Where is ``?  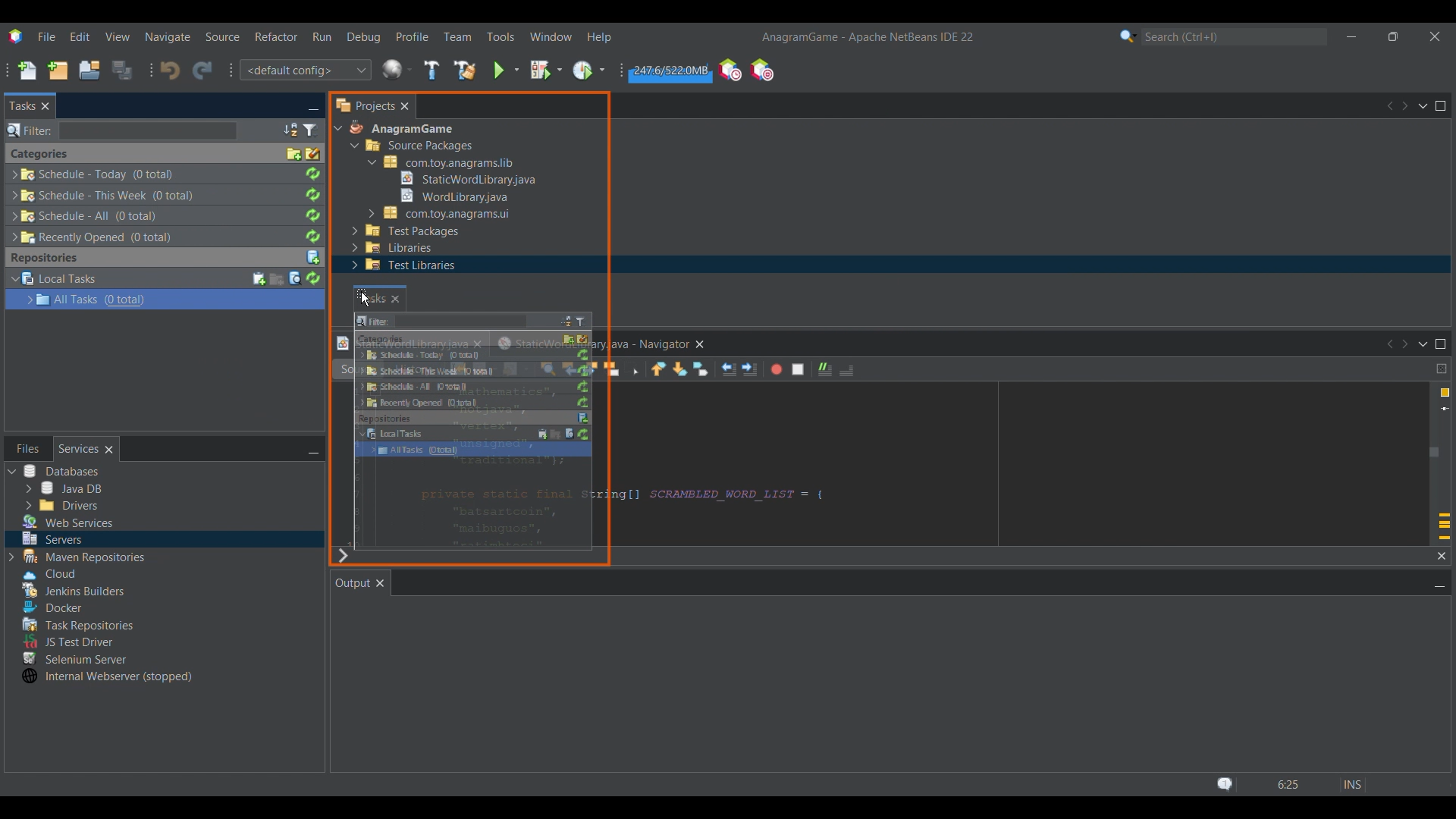
 is located at coordinates (392, 249).